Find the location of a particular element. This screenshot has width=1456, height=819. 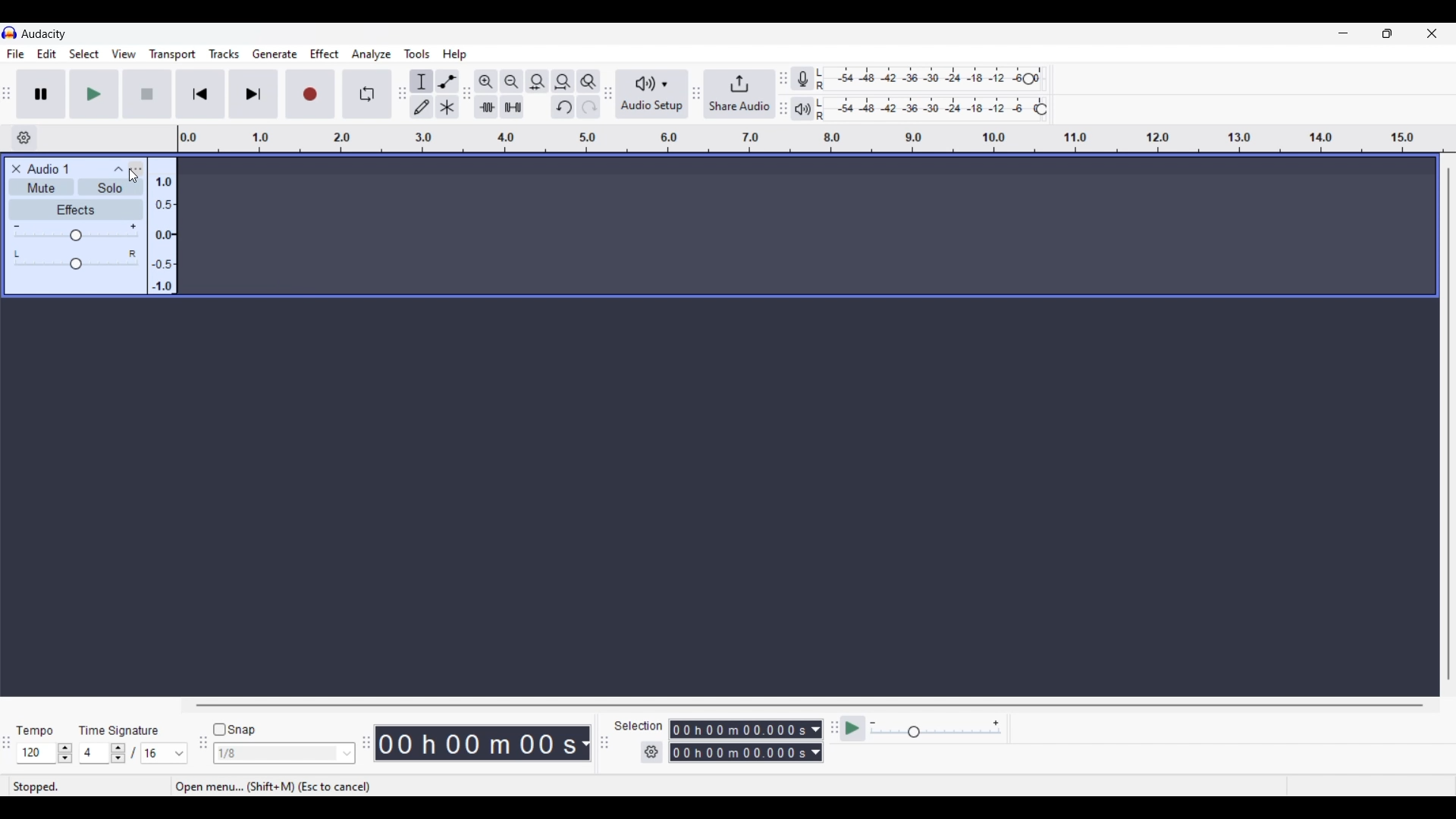

Minimize is located at coordinates (1343, 33).